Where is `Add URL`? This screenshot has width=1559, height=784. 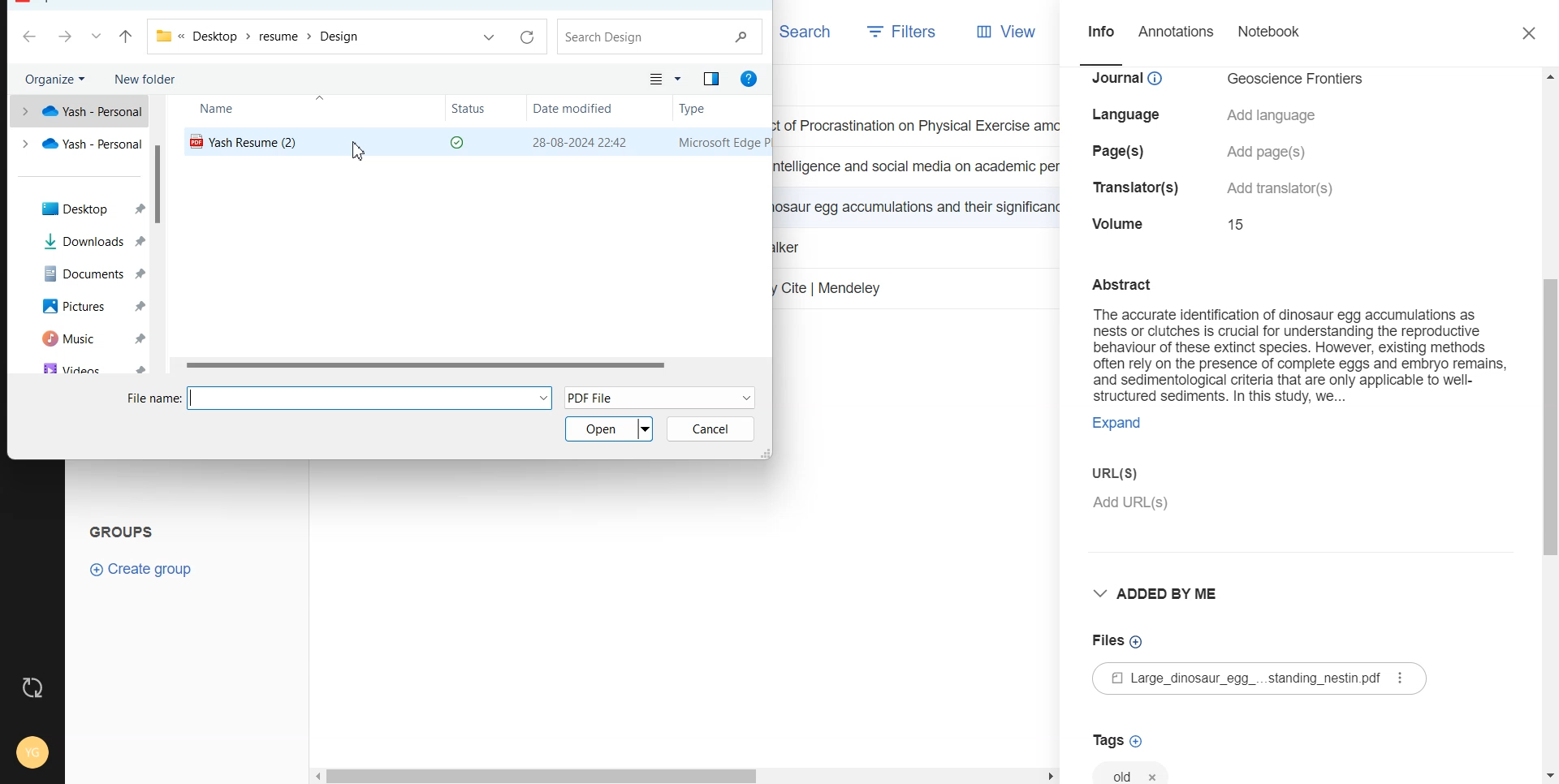 Add URL is located at coordinates (1298, 510).